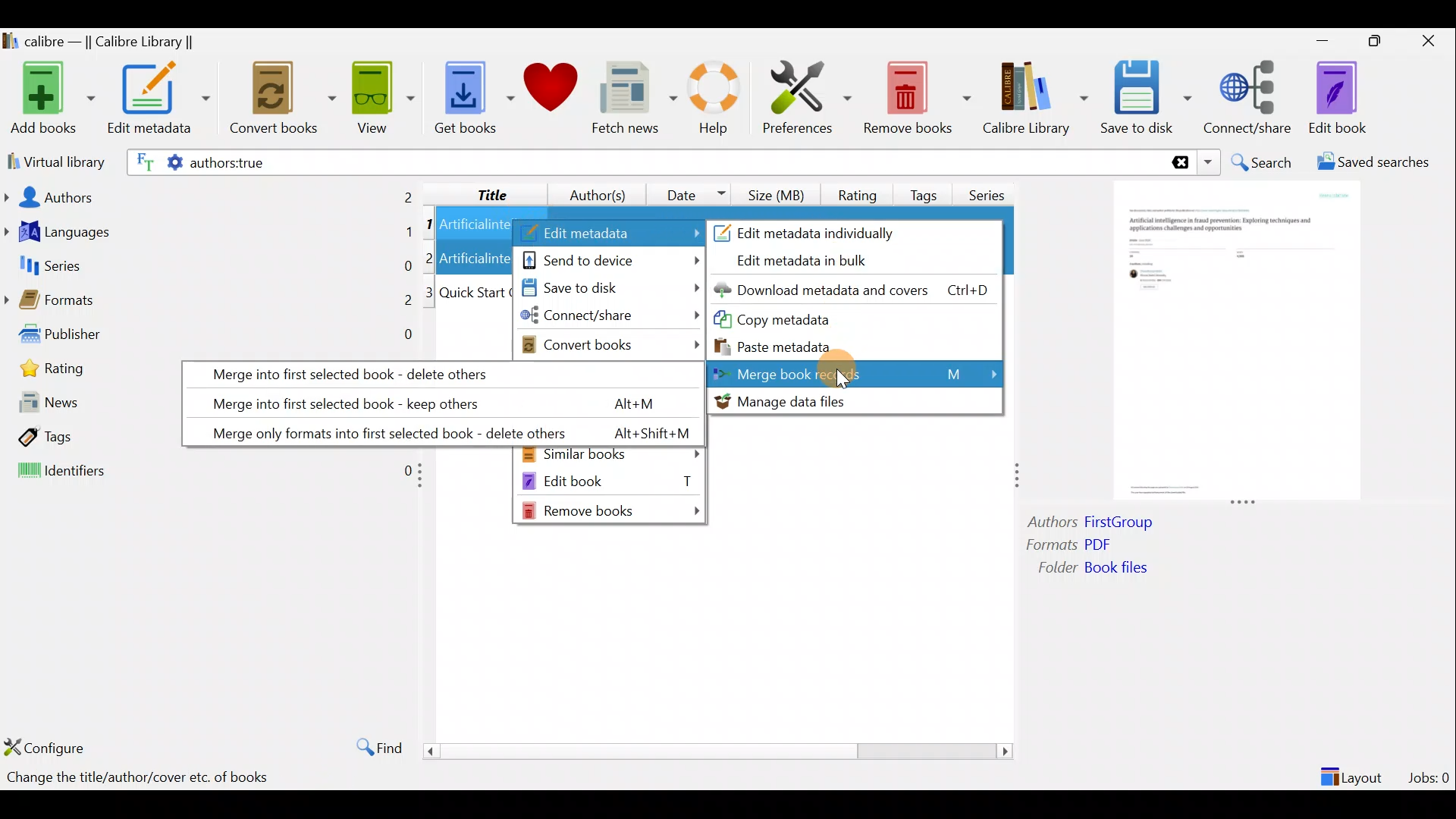  What do you see at coordinates (431, 257) in the screenshot?
I see `2` at bounding box center [431, 257].